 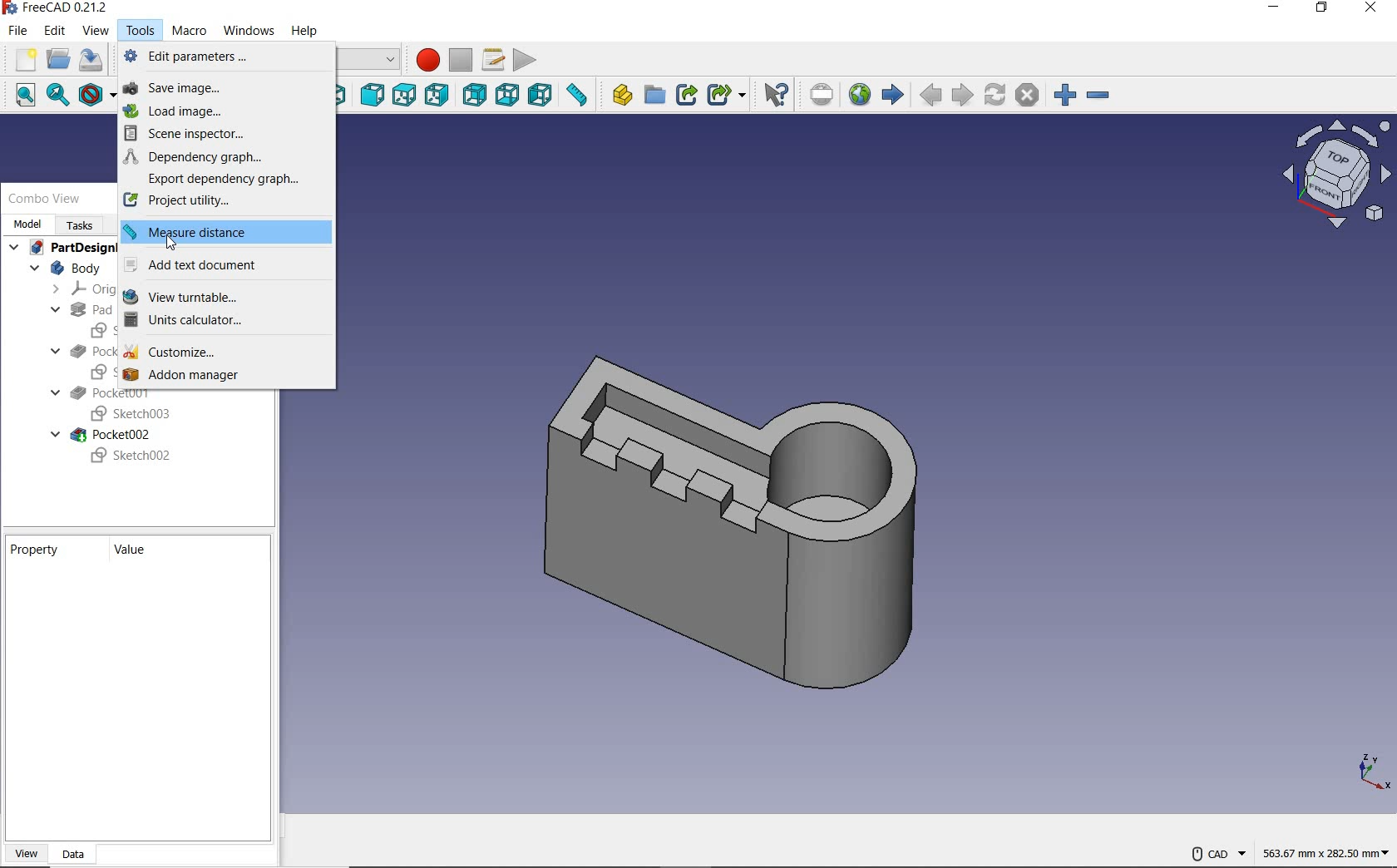 What do you see at coordinates (494, 60) in the screenshot?
I see `macros` at bounding box center [494, 60].